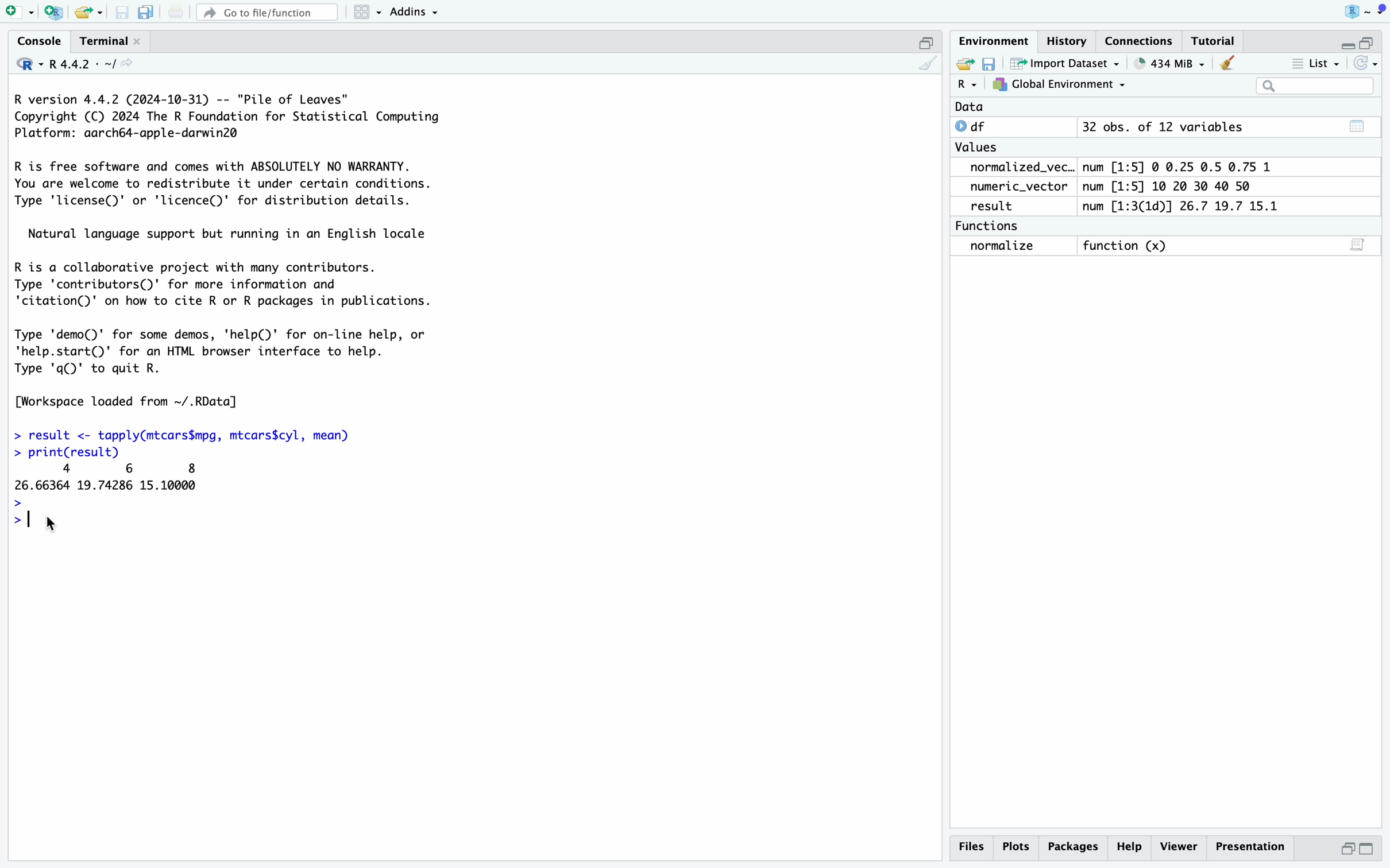 The image size is (1390, 868). I want to click on Connections, so click(1140, 40).